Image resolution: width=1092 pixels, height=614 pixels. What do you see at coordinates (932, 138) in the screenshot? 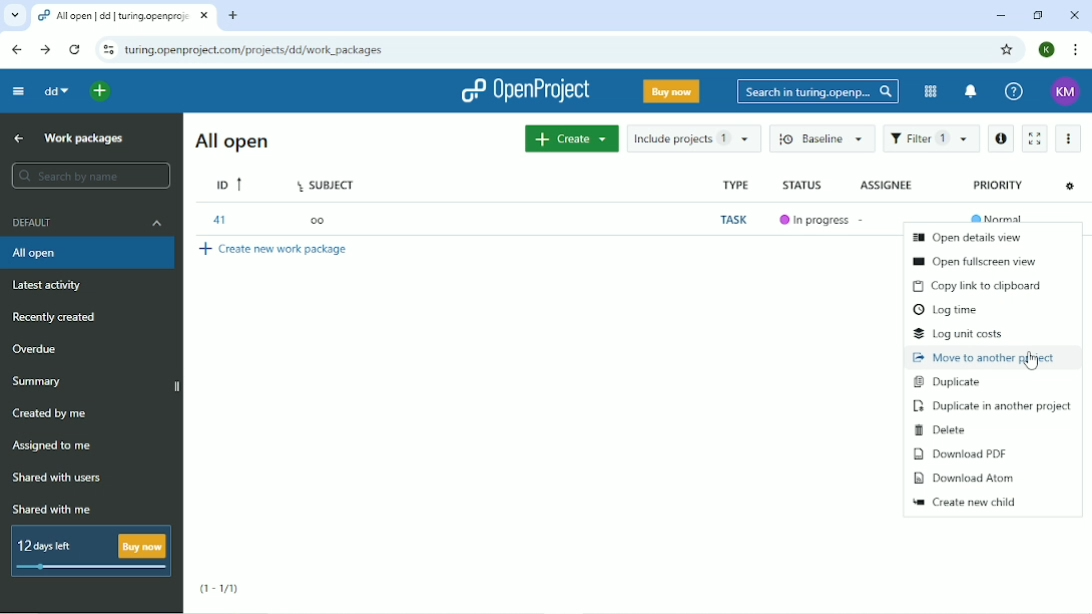
I see `Filter 1` at bounding box center [932, 138].